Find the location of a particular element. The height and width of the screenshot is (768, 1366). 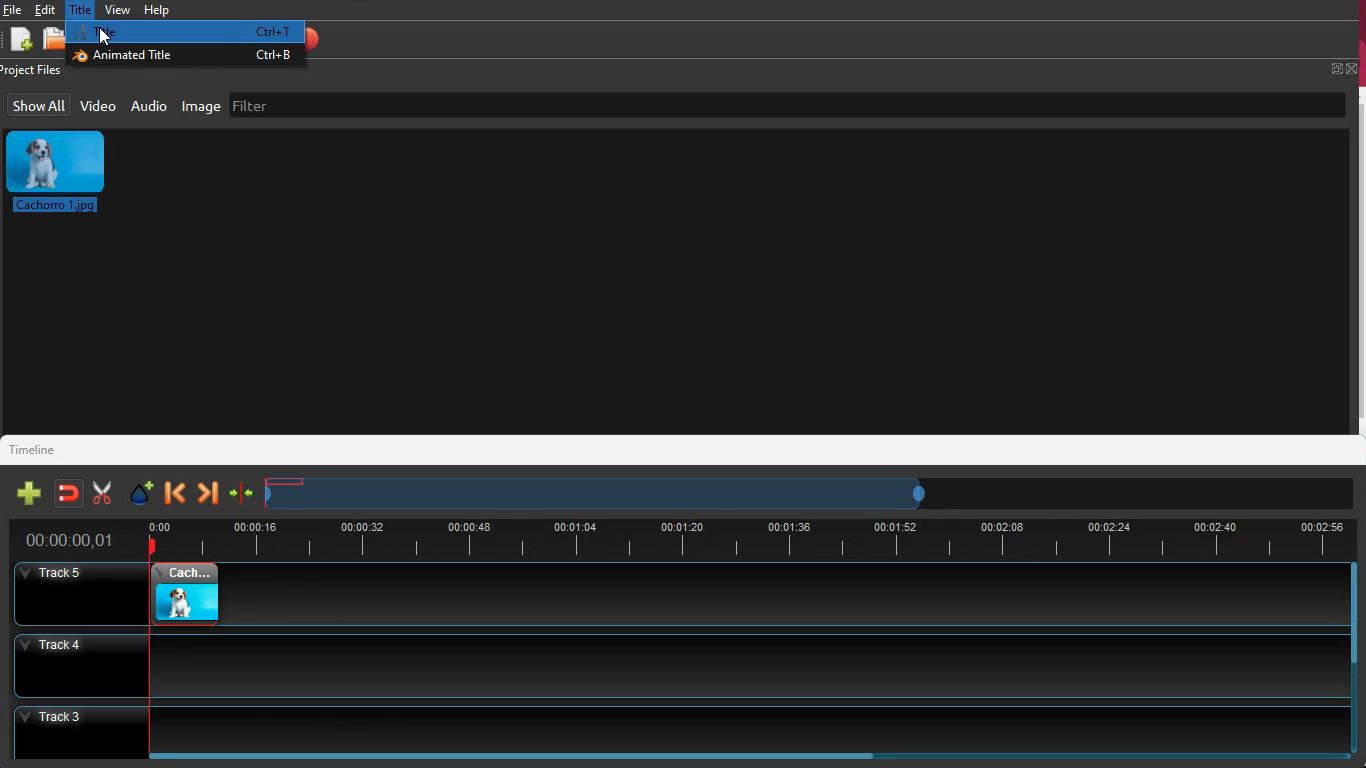

view is located at coordinates (118, 9).